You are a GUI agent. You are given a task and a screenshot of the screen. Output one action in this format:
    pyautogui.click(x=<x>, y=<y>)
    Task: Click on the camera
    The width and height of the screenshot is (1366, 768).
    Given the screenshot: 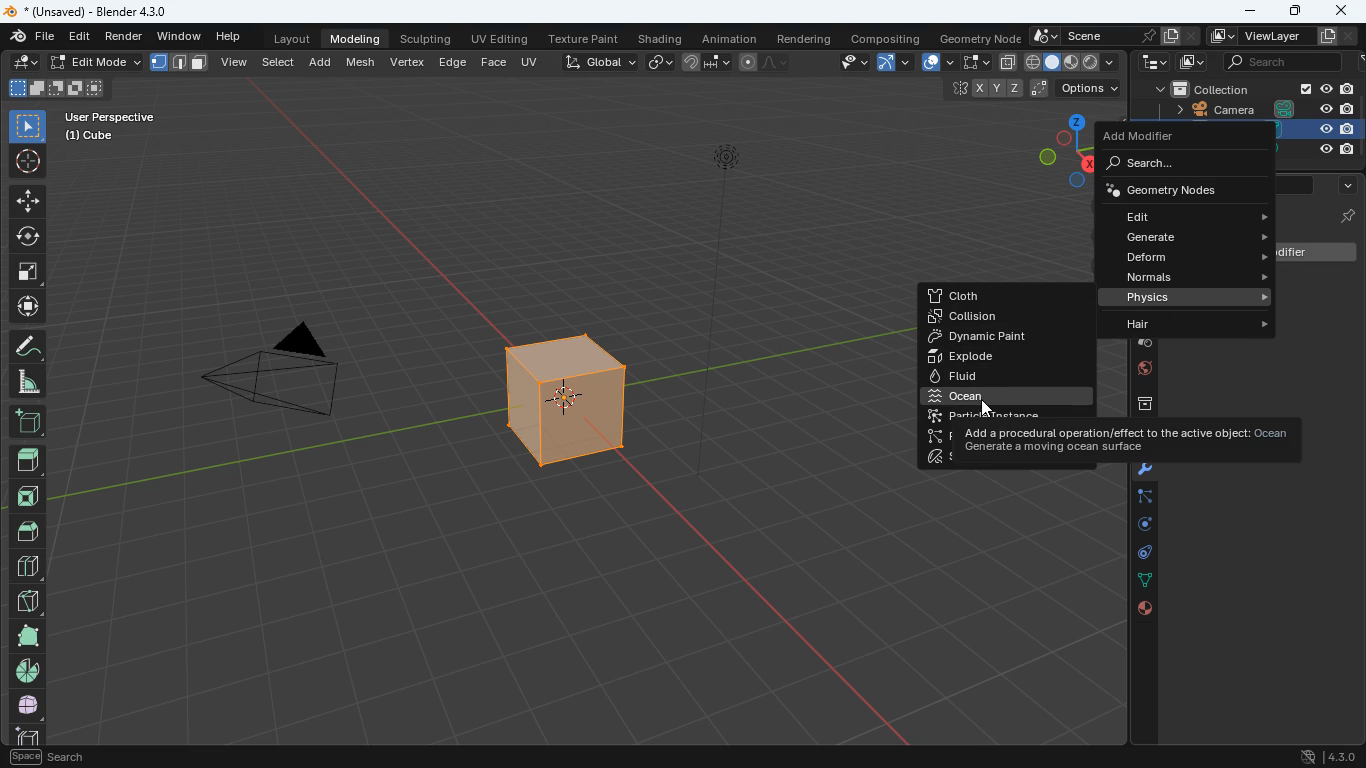 What is the action you would take?
    pyautogui.click(x=272, y=376)
    